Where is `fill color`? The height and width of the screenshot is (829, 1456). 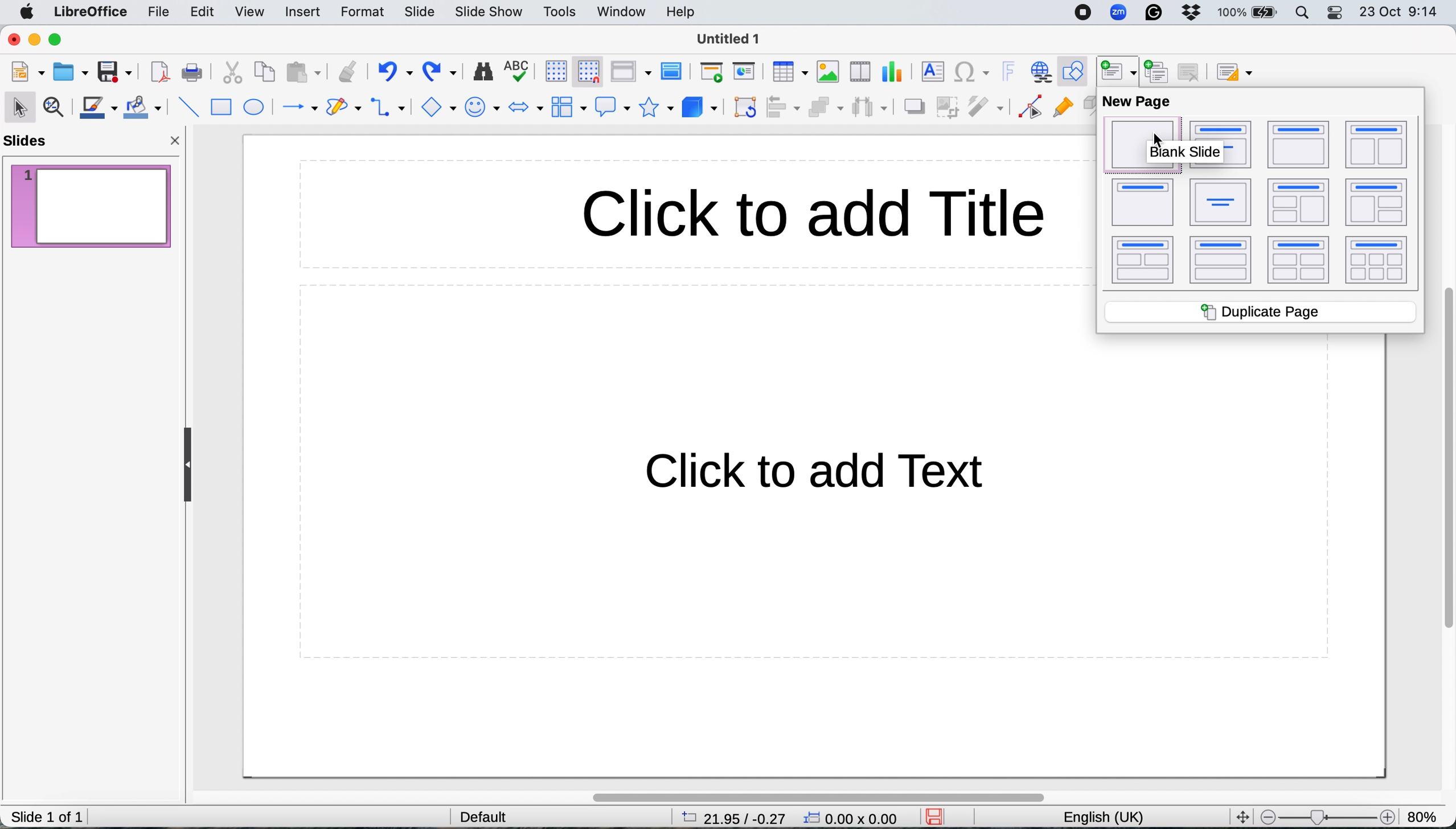
fill color is located at coordinates (142, 109).